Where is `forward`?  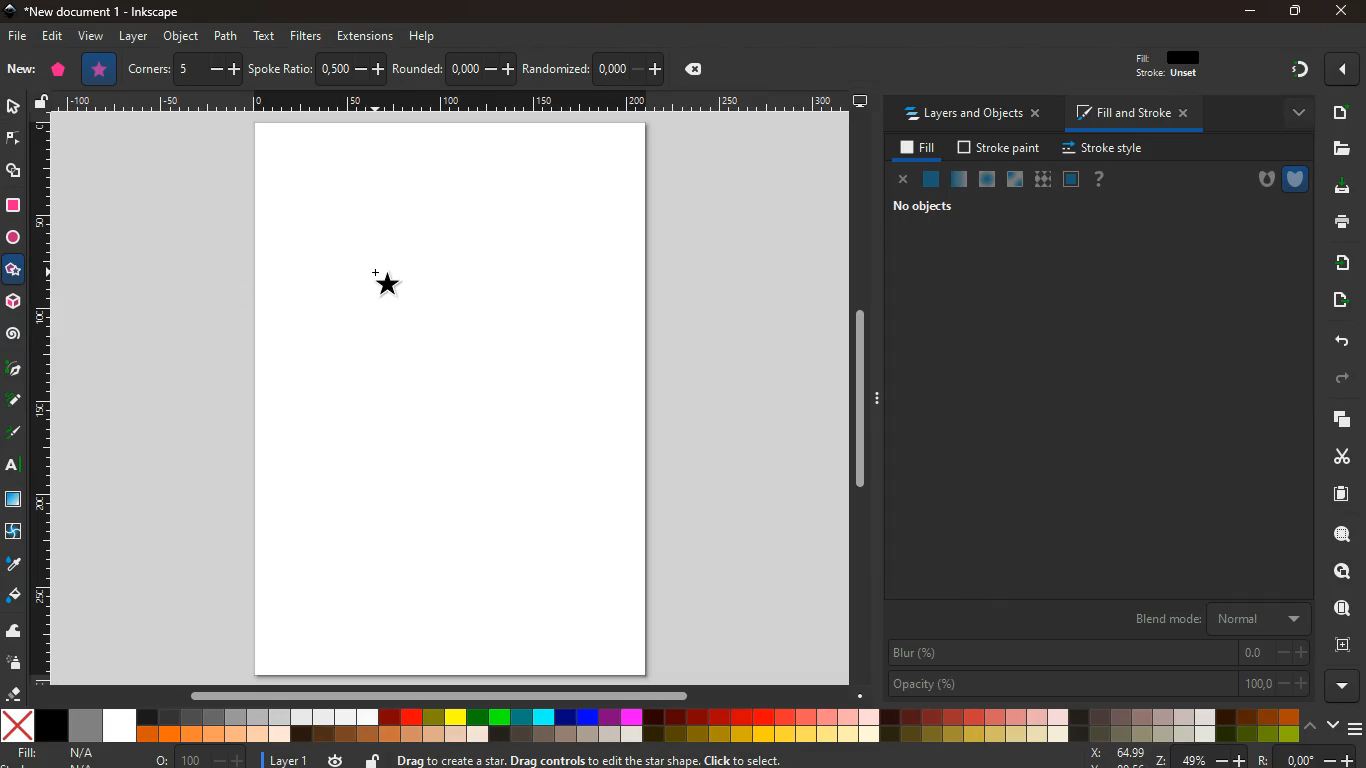 forward is located at coordinates (1334, 380).